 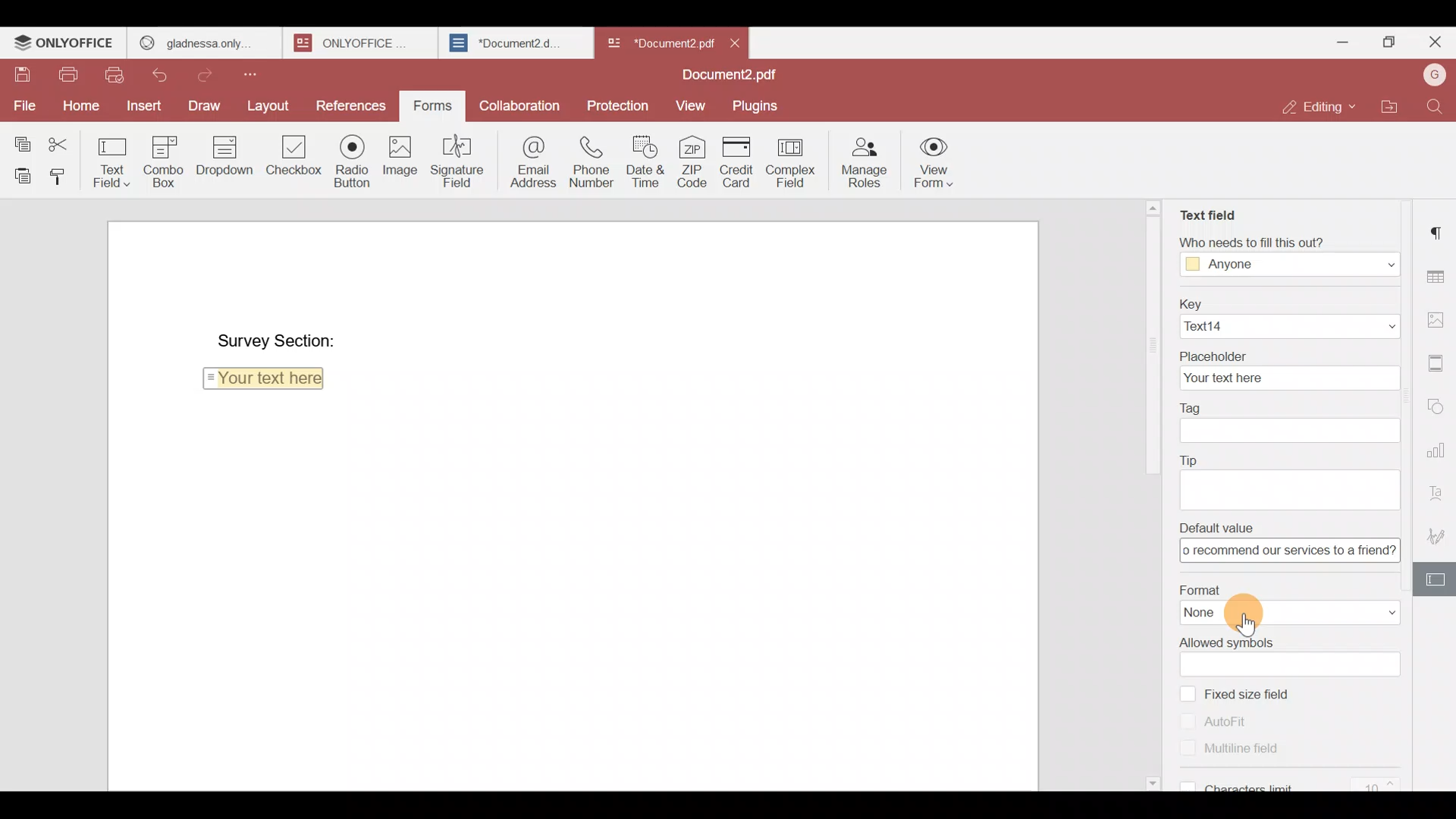 What do you see at coordinates (1439, 227) in the screenshot?
I see `Paragraph settings` at bounding box center [1439, 227].